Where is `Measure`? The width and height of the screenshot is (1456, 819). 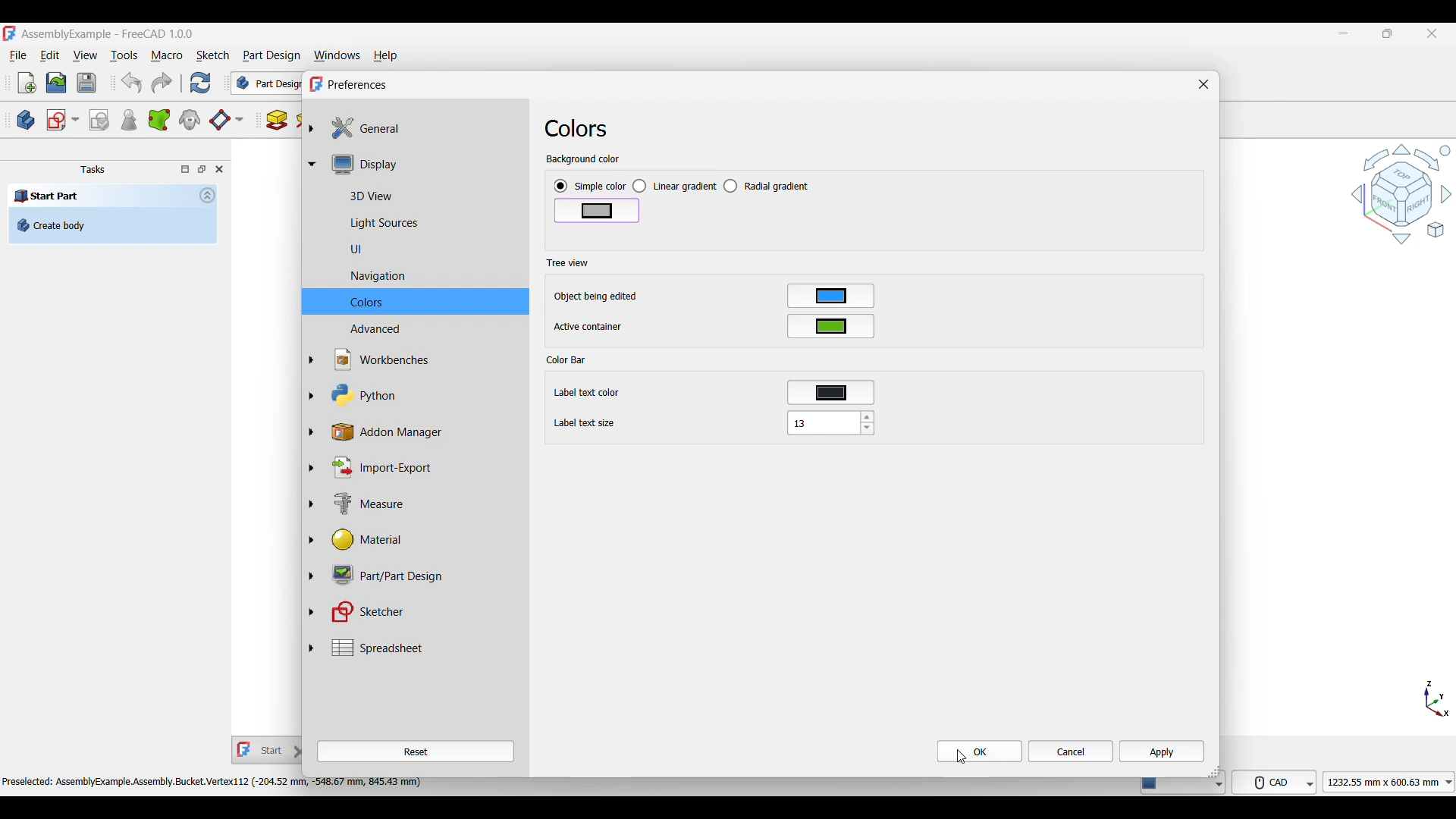 Measure is located at coordinates (425, 505).